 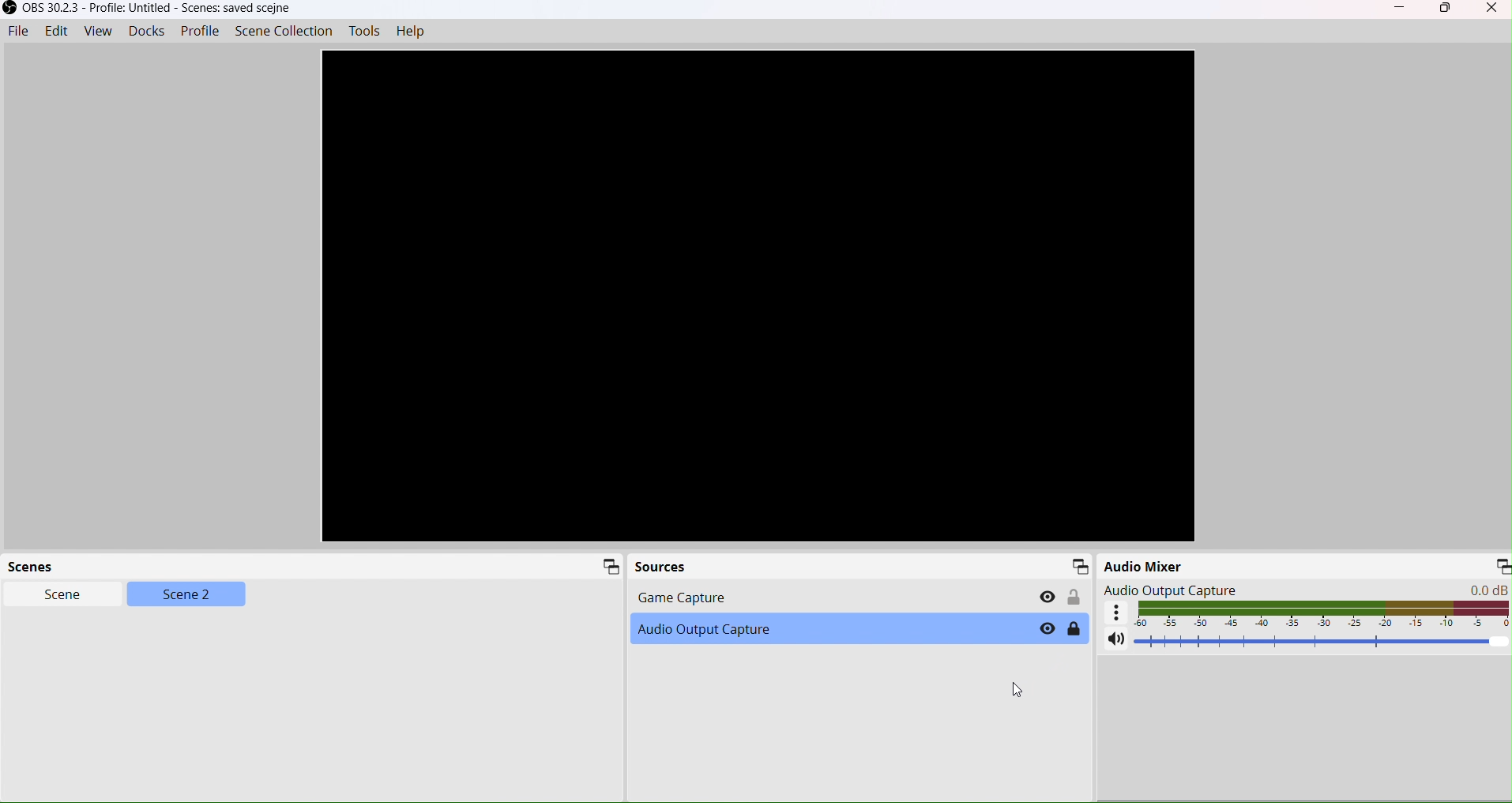 I want to click on Sources, so click(x=859, y=566).